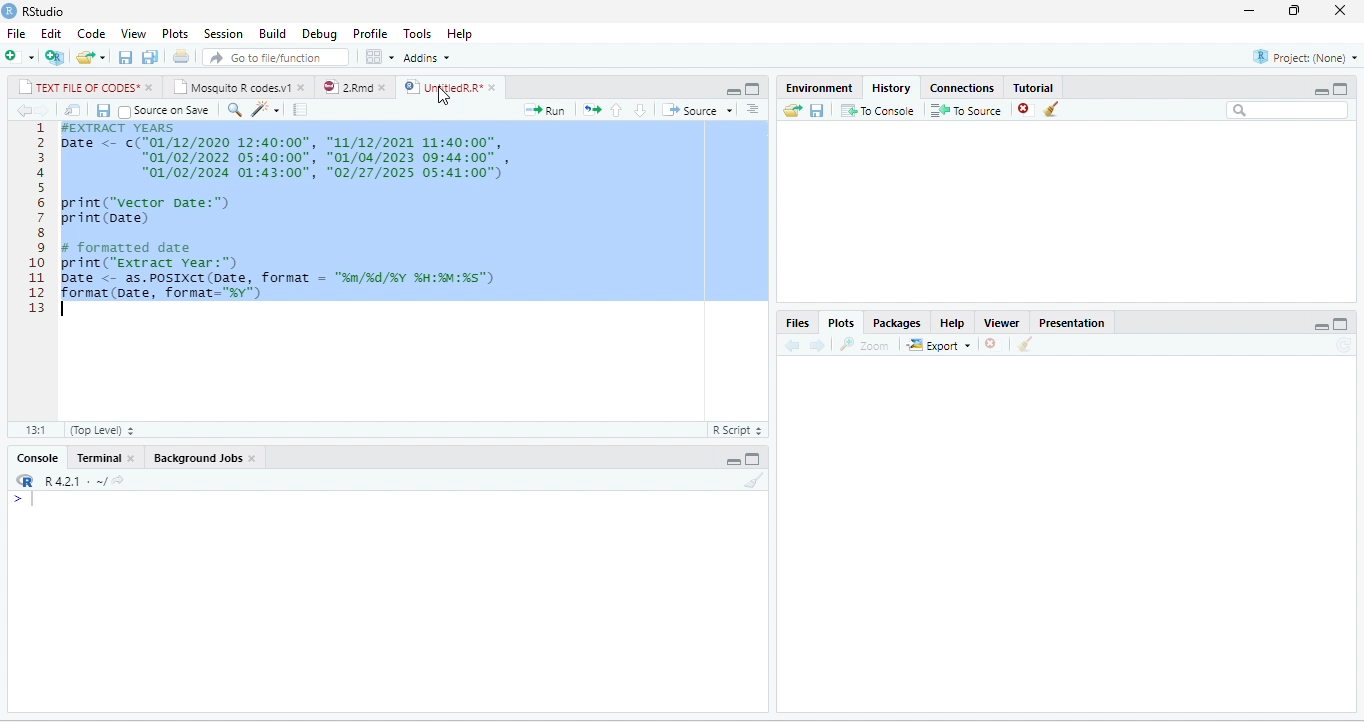 Image resolution: width=1364 pixels, height=722 pixels. I want to click on clear, so click(1025, 343).